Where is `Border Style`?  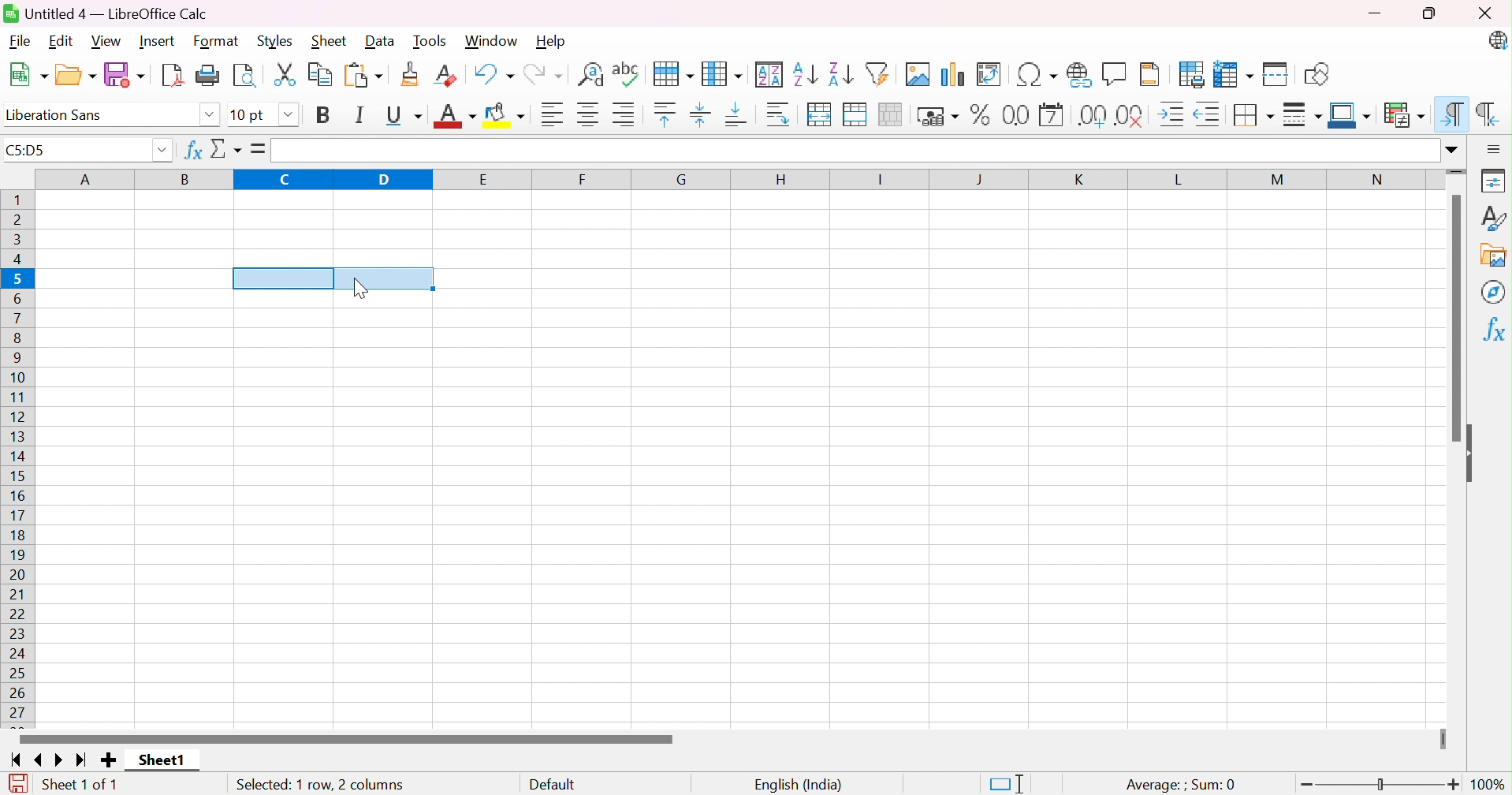
Border Style is located at coordinates (1303, 115).